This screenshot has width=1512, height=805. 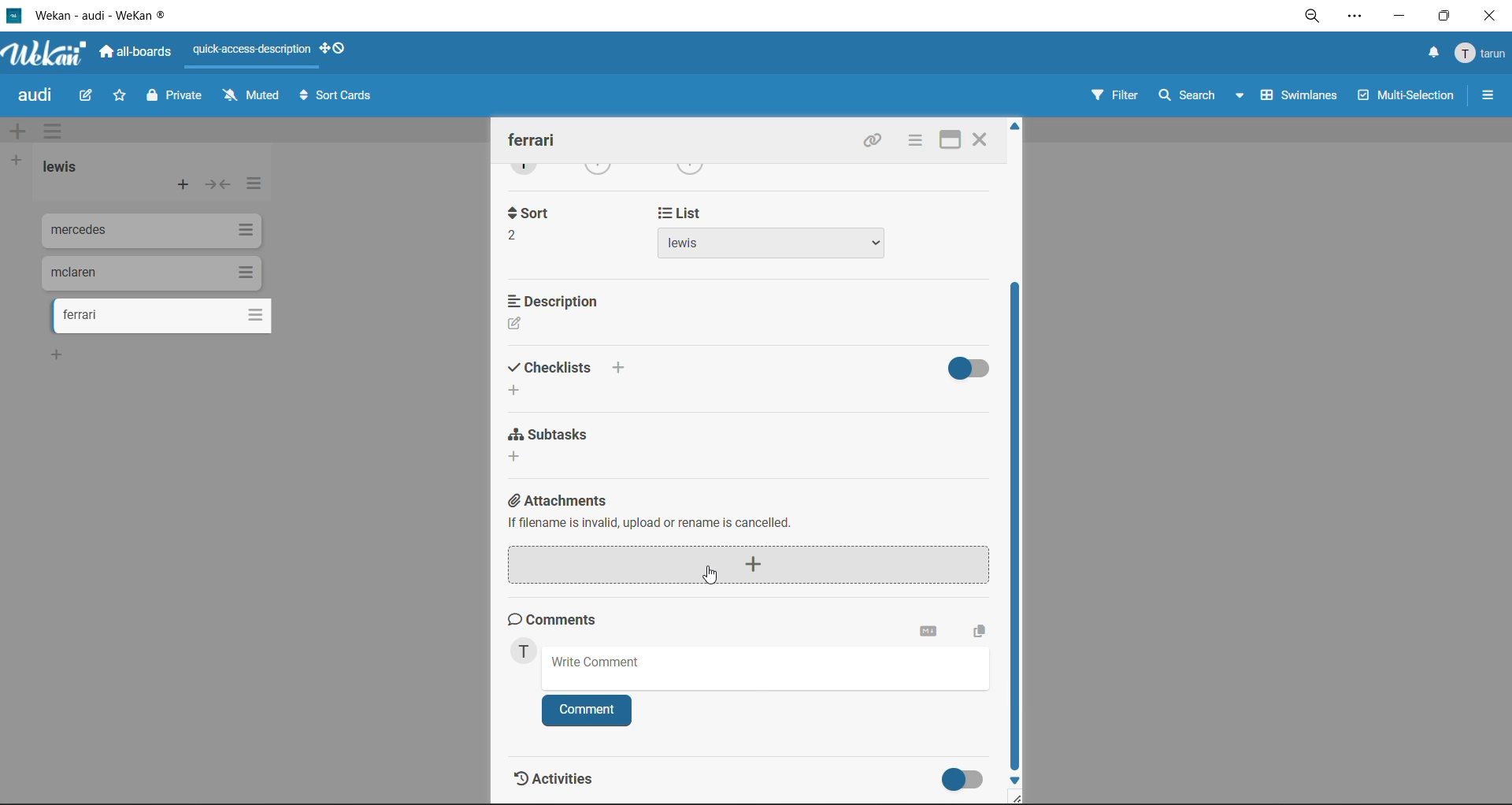 What do you see at coordinates (1018, 529) in the screenshot?
I see `vertical scroll bar` at bounding box center [1018, 529].